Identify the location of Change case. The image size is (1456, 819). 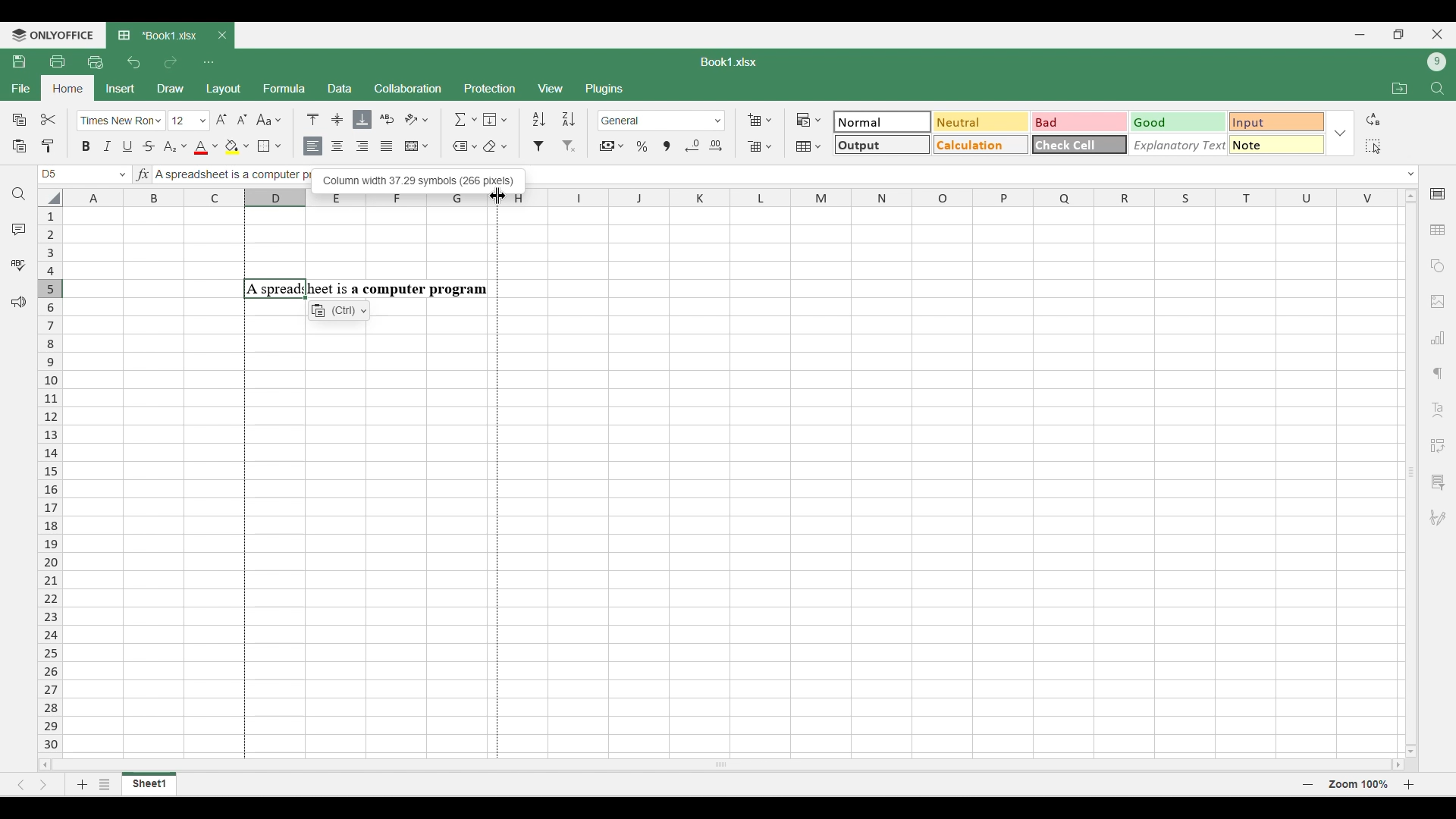
(268, 119).